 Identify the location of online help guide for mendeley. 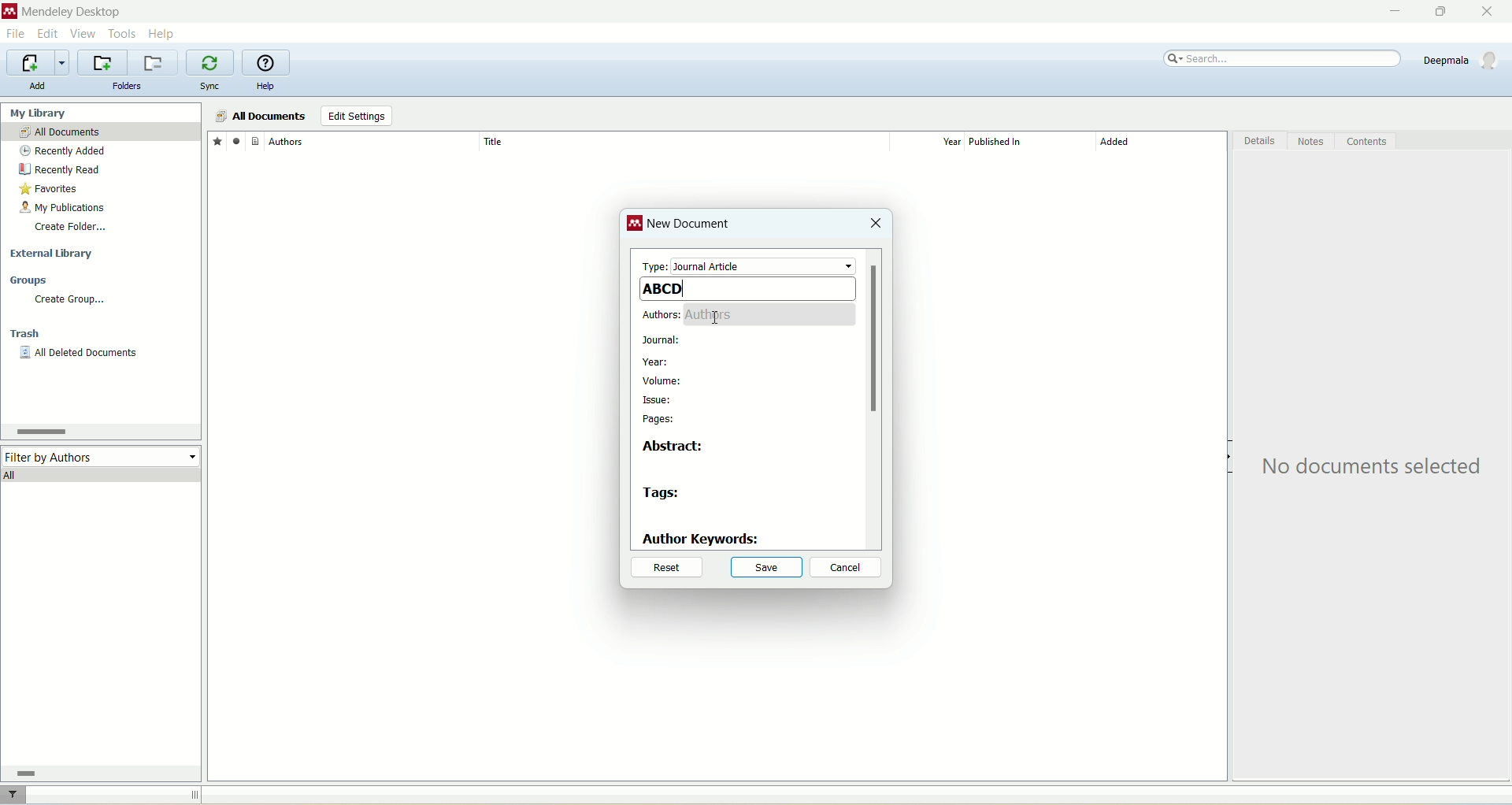
(267, 63).